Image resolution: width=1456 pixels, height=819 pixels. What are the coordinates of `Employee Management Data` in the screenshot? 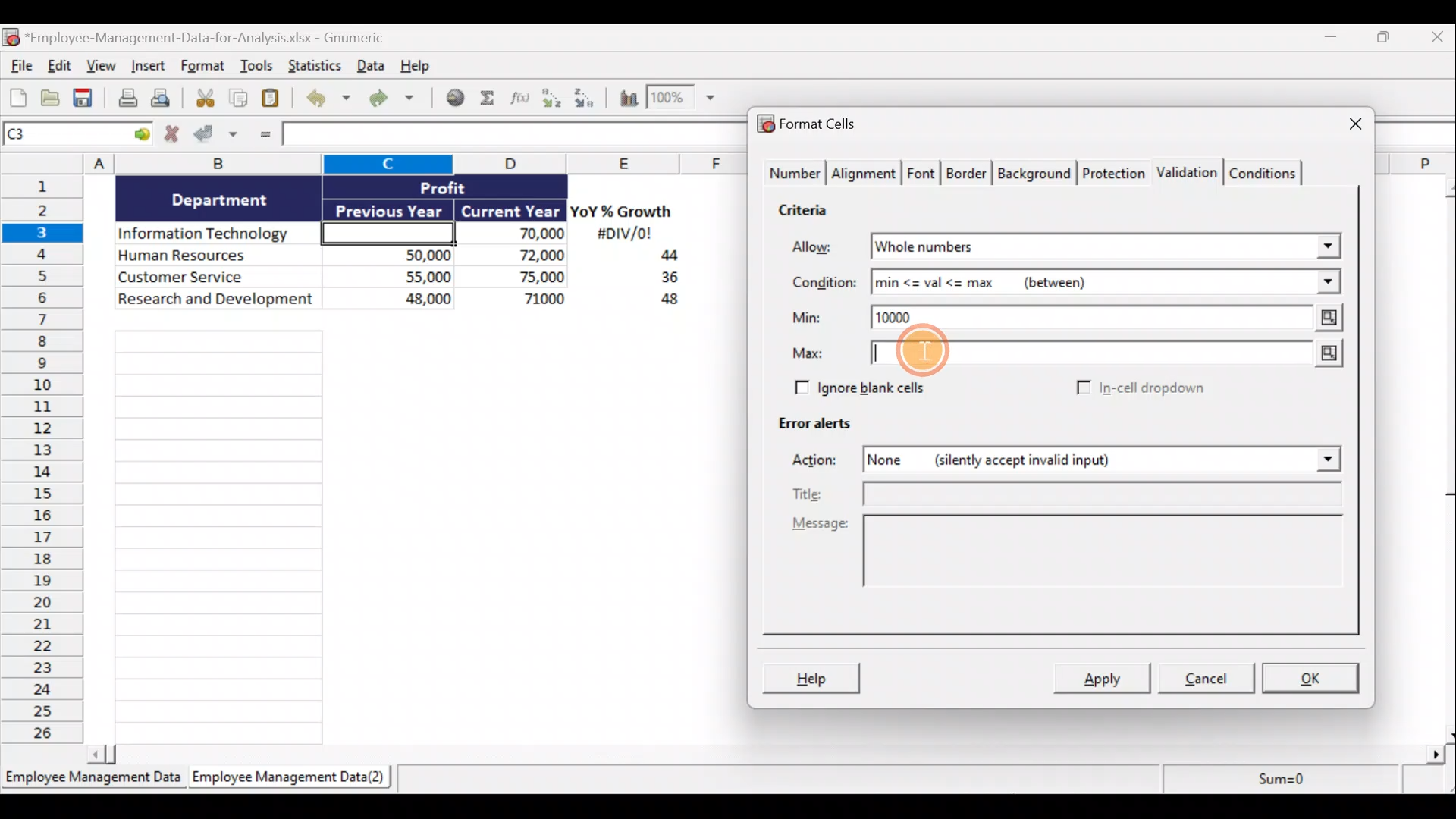 It's located at (92, 780).